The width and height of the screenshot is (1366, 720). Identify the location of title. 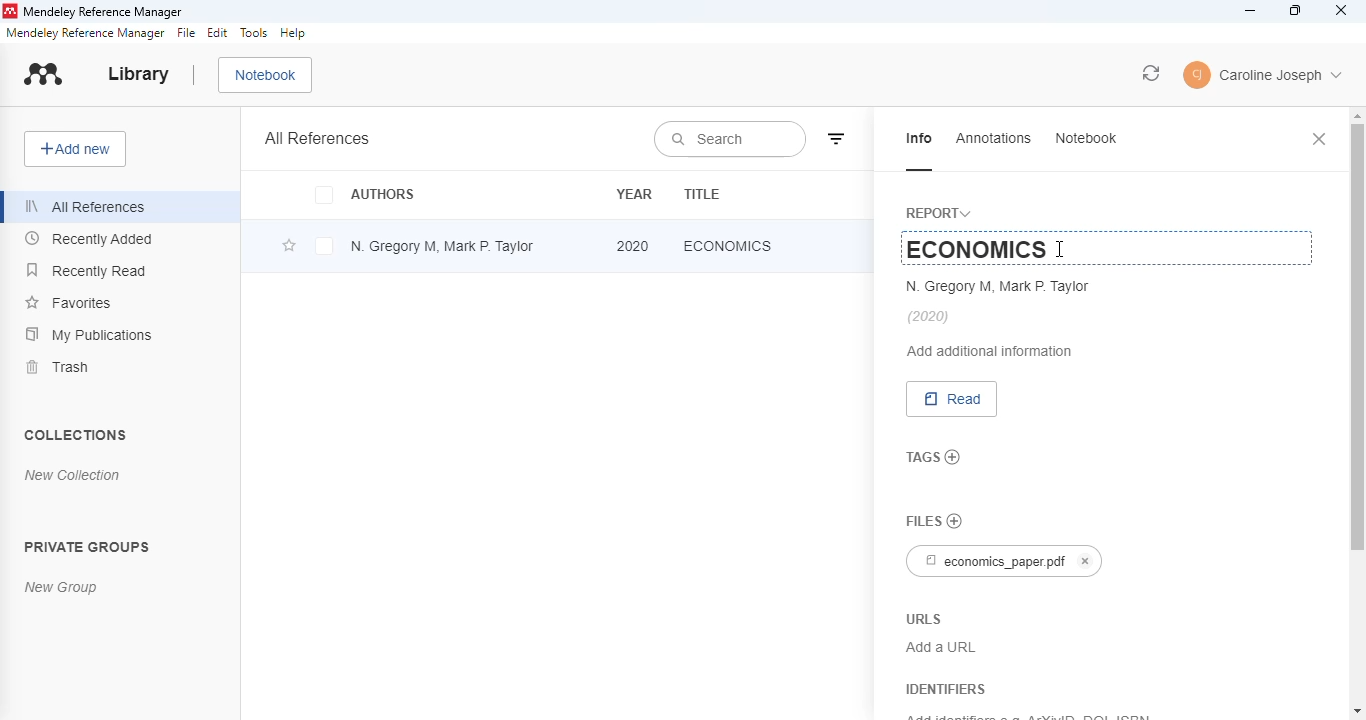
(703, 195).